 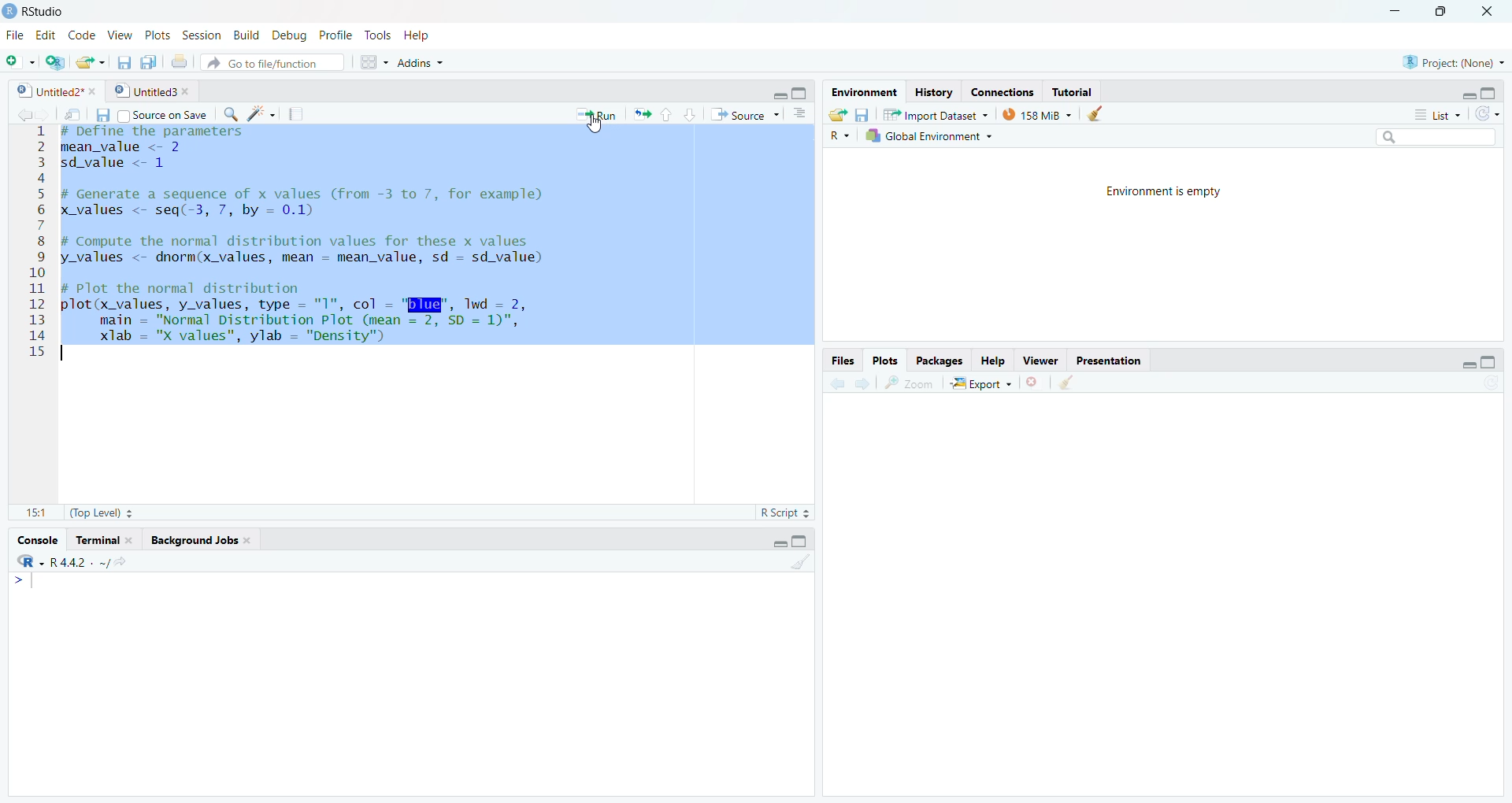 What do you see at coordinates (1432, 138) in the screenshot?
I see `search` at bounding box center [1432, 138].